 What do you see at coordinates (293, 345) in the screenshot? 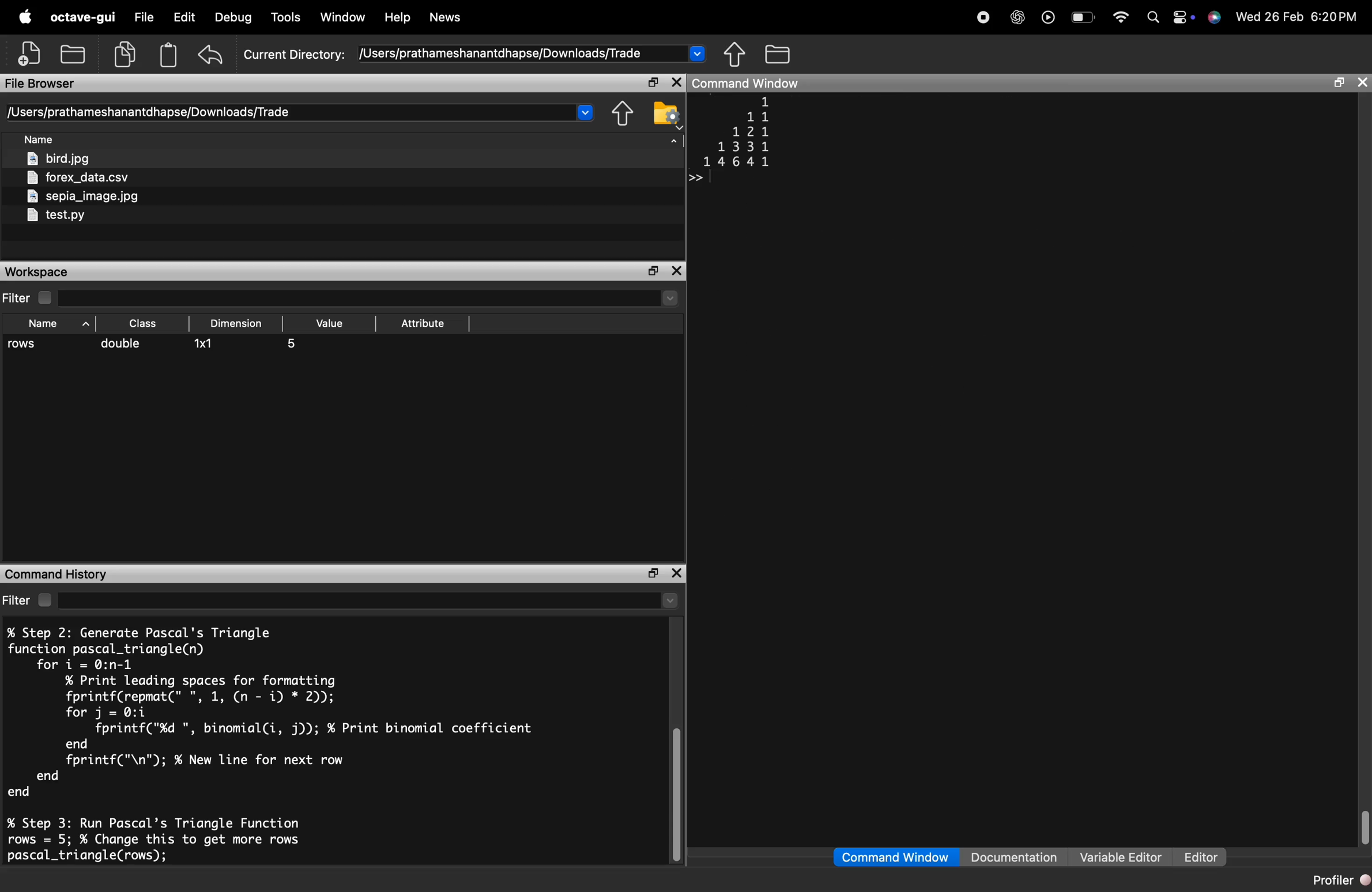
I see `5` at bounding box center [293, 345].